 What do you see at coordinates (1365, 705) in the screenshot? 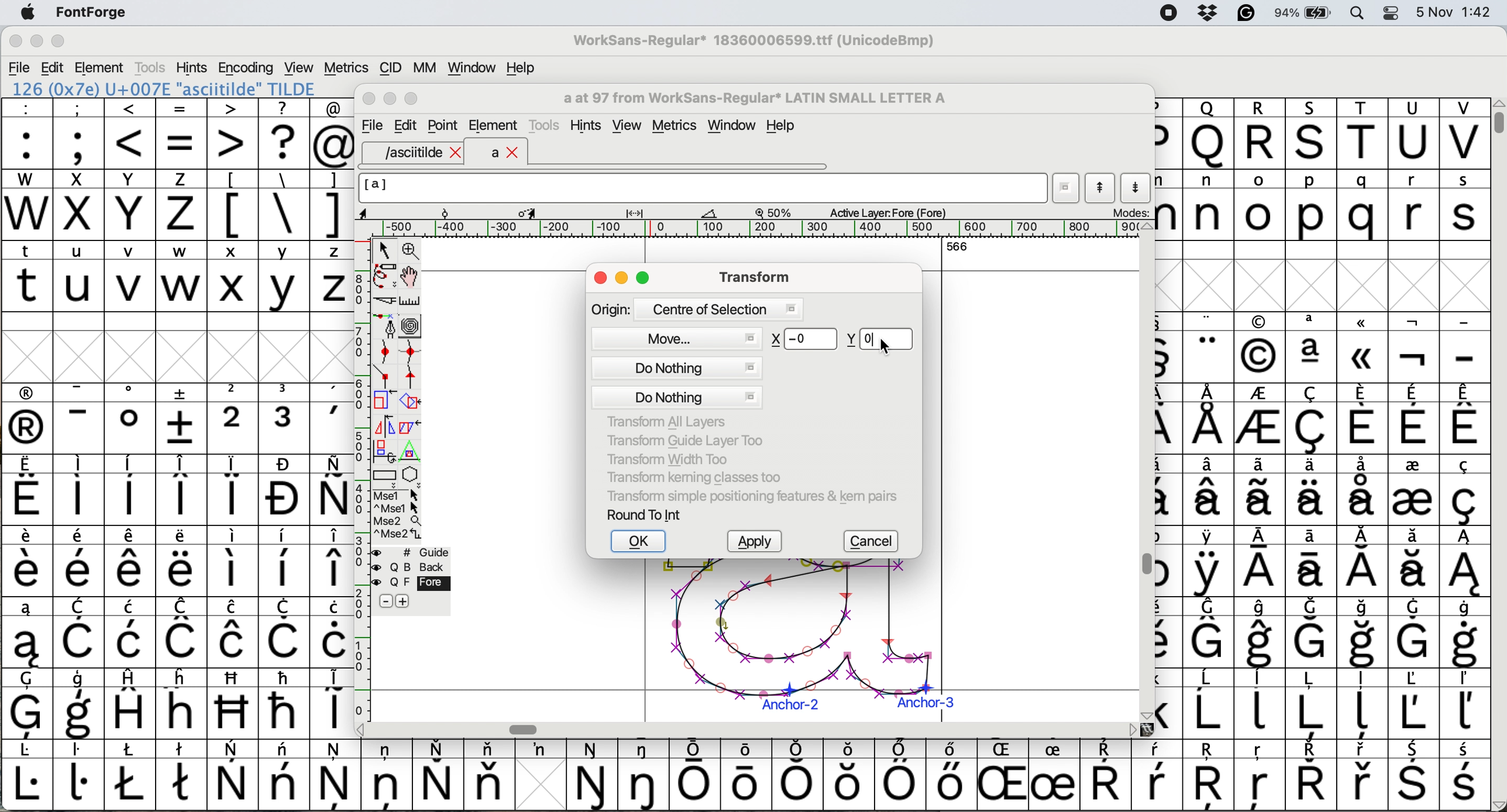
I see `symbol` at bounding box center [1365, 705].